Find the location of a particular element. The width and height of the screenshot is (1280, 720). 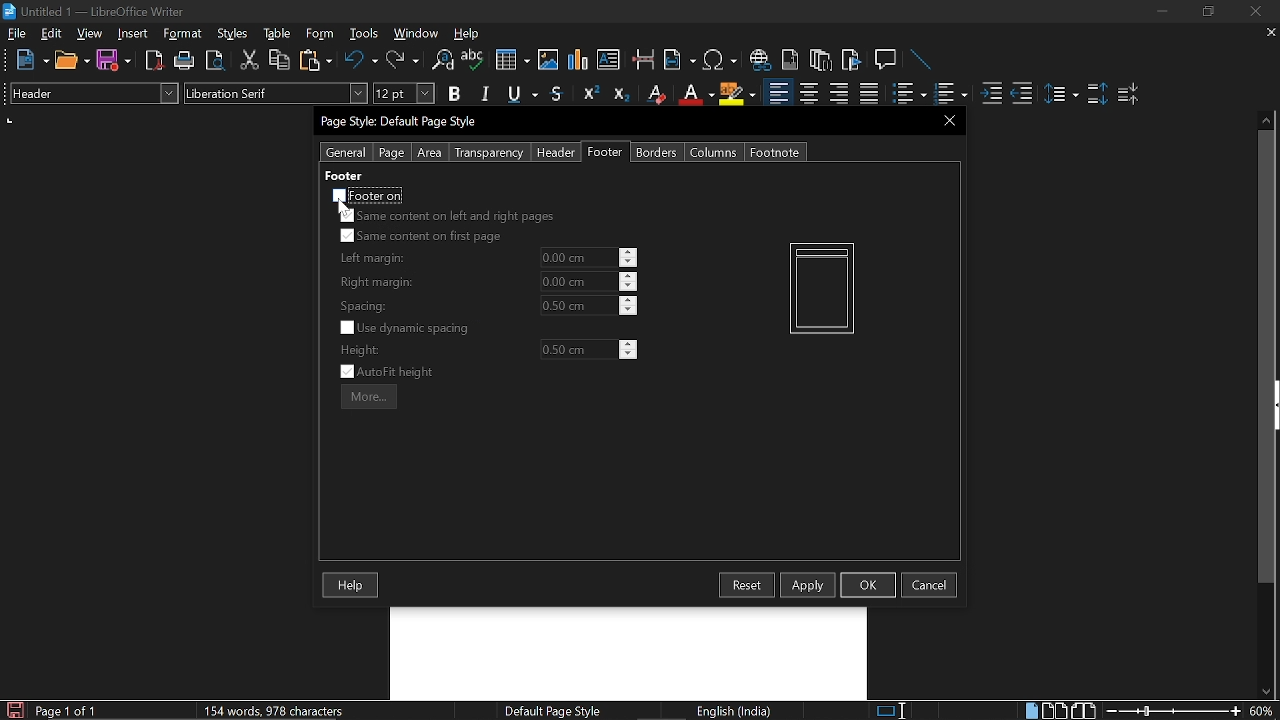

Increase indent is located at coordinates (990, 93).